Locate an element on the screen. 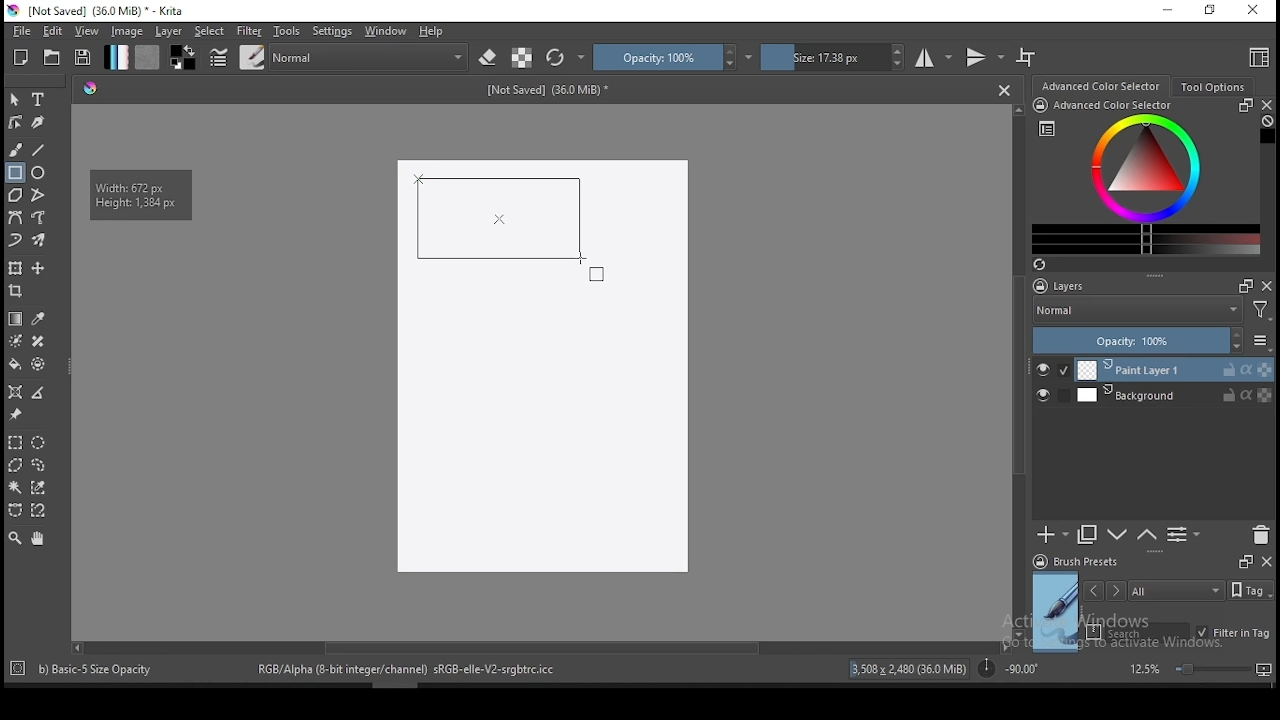 This screenshot has height=720, width=1280. search is located at coordinates (1138, 632).